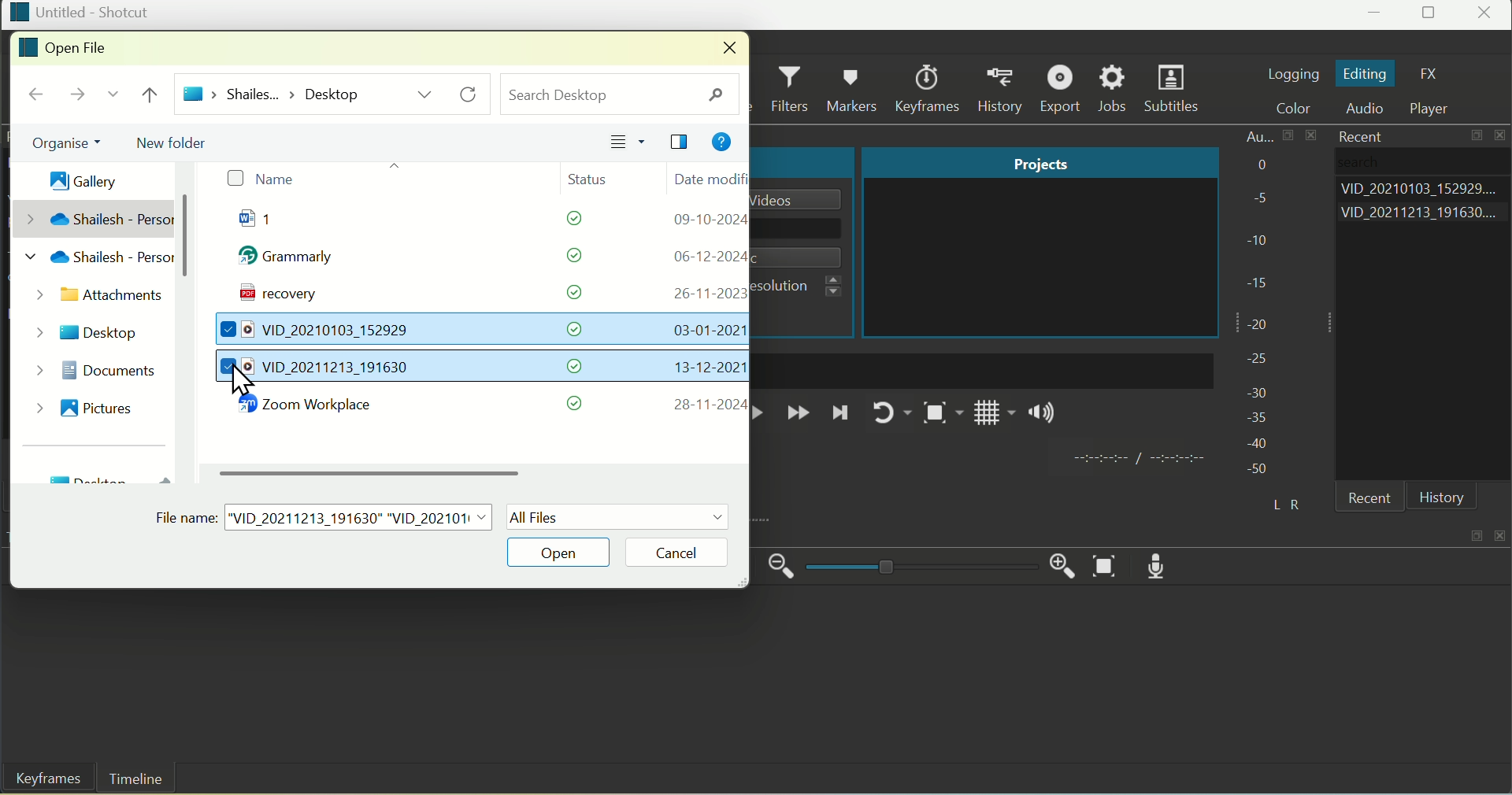 This screenshot has height=795, width=1512. I want to click on status, so click(576, 403).